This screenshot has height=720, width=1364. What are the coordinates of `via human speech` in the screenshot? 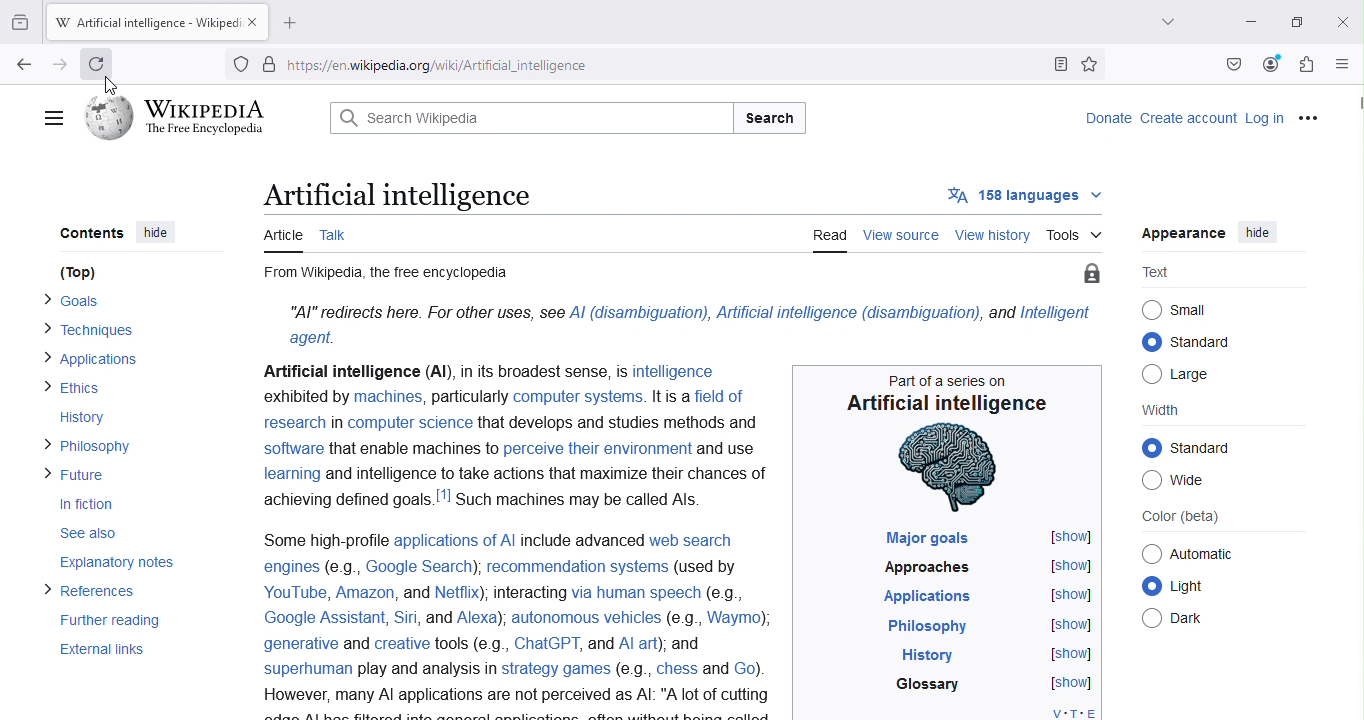 It's located at (637, 592).